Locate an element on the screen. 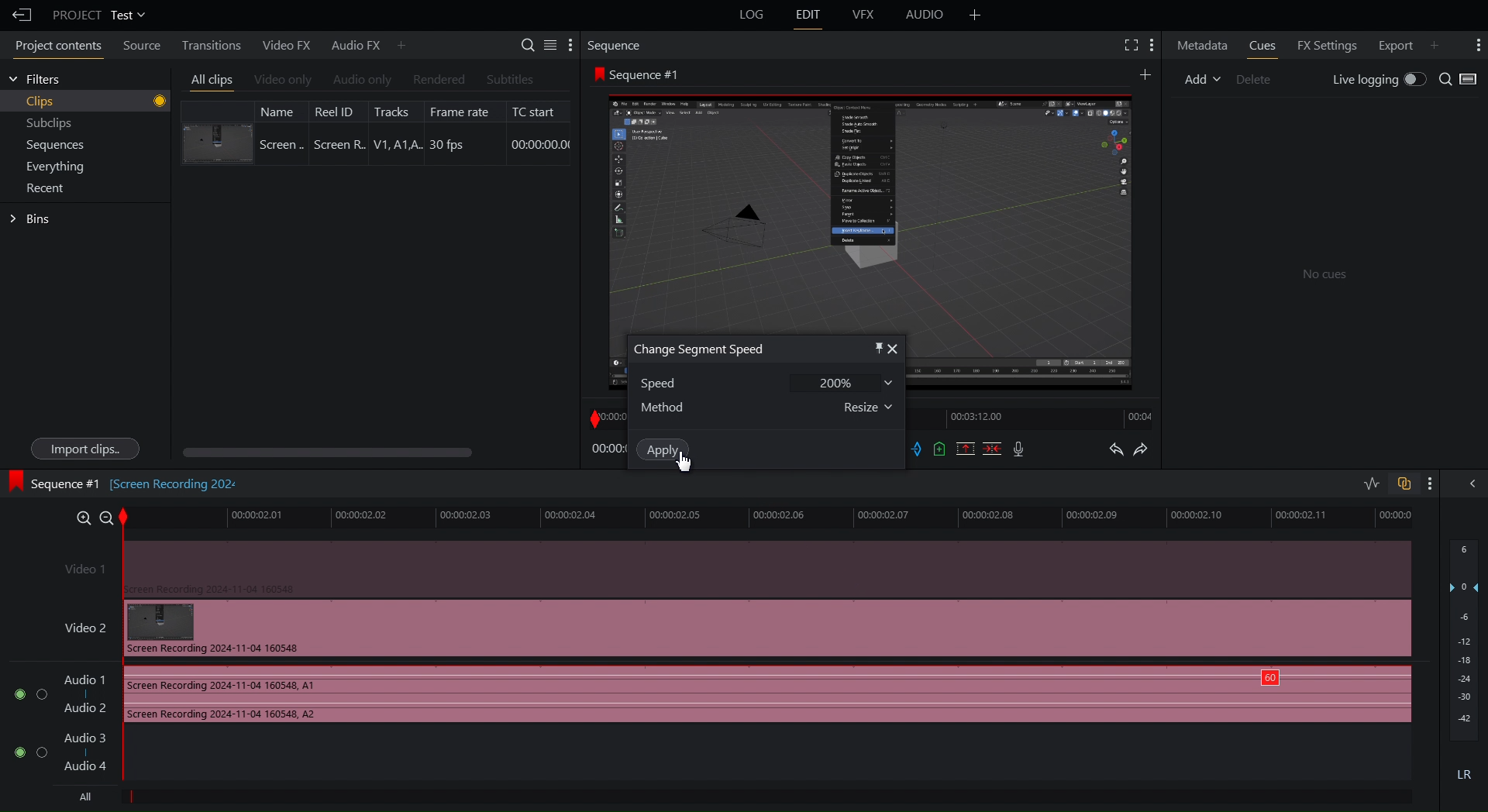 The width and height of the screenshot is (1488, 812). Speed is located at coordinates (762, 382).